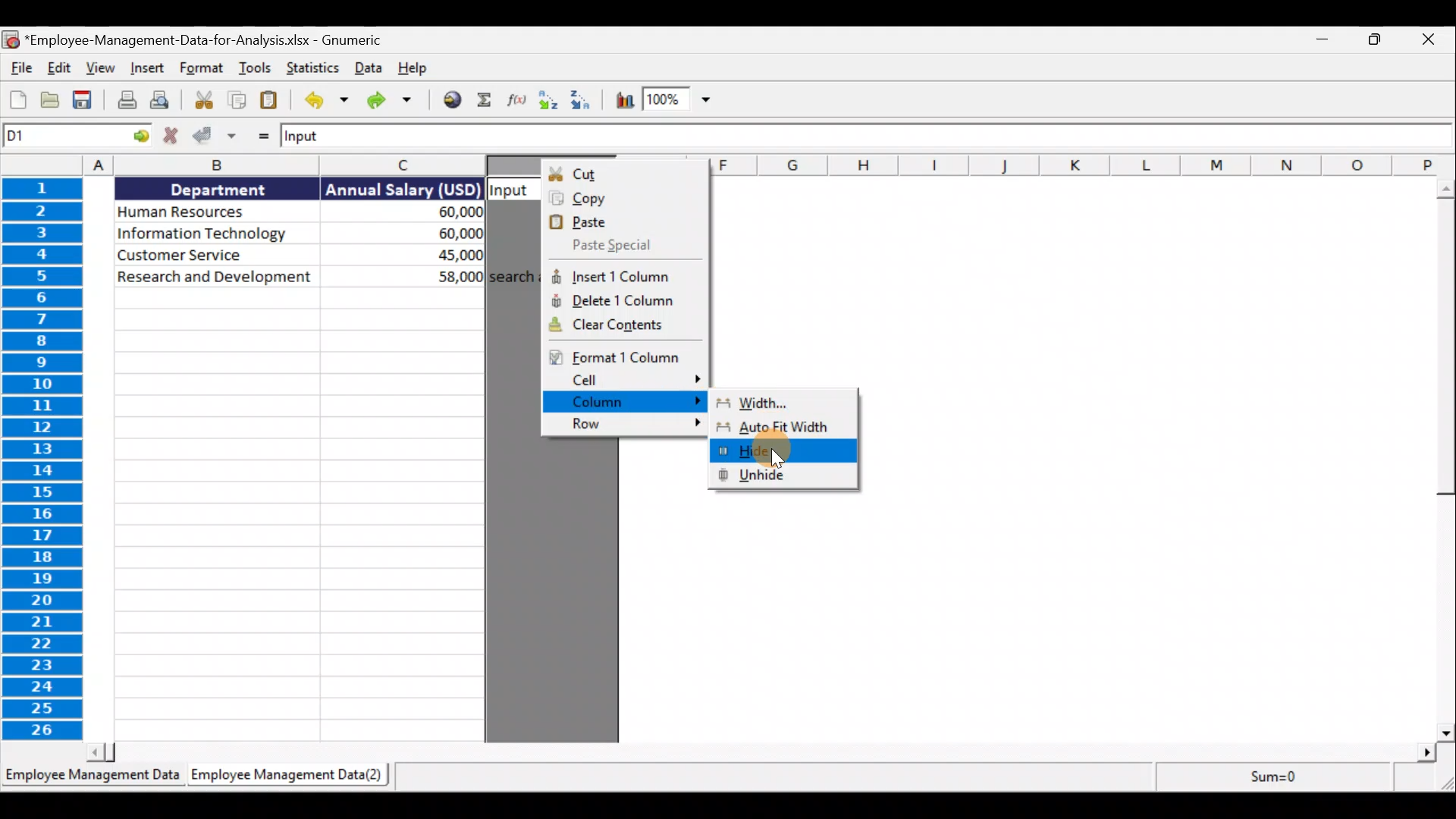 This screenshot has width=1456, height=819. I want to click on Help, so click(410, 66).